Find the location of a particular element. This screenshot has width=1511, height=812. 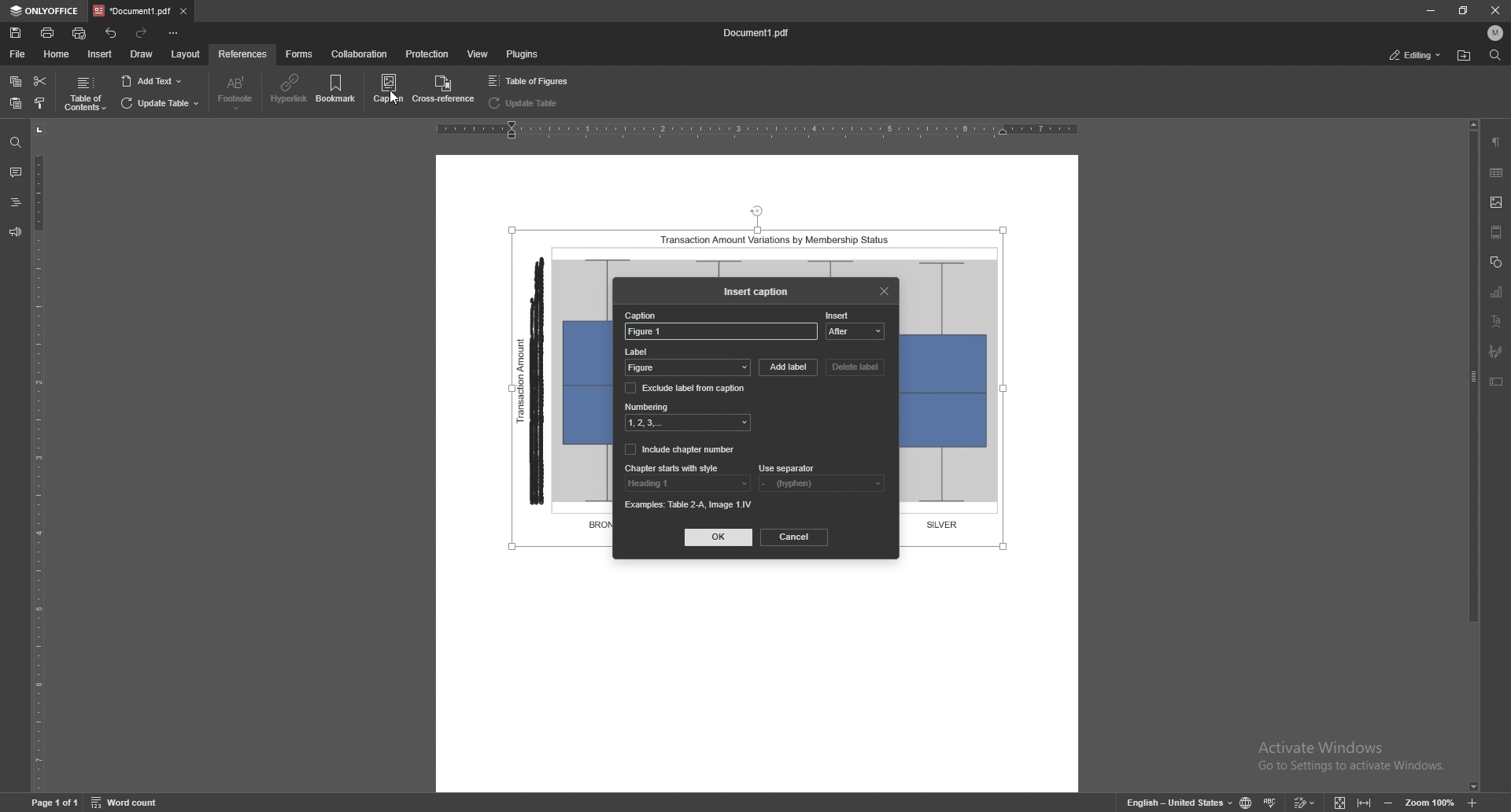

cancel is located at coordinates (795, 537).